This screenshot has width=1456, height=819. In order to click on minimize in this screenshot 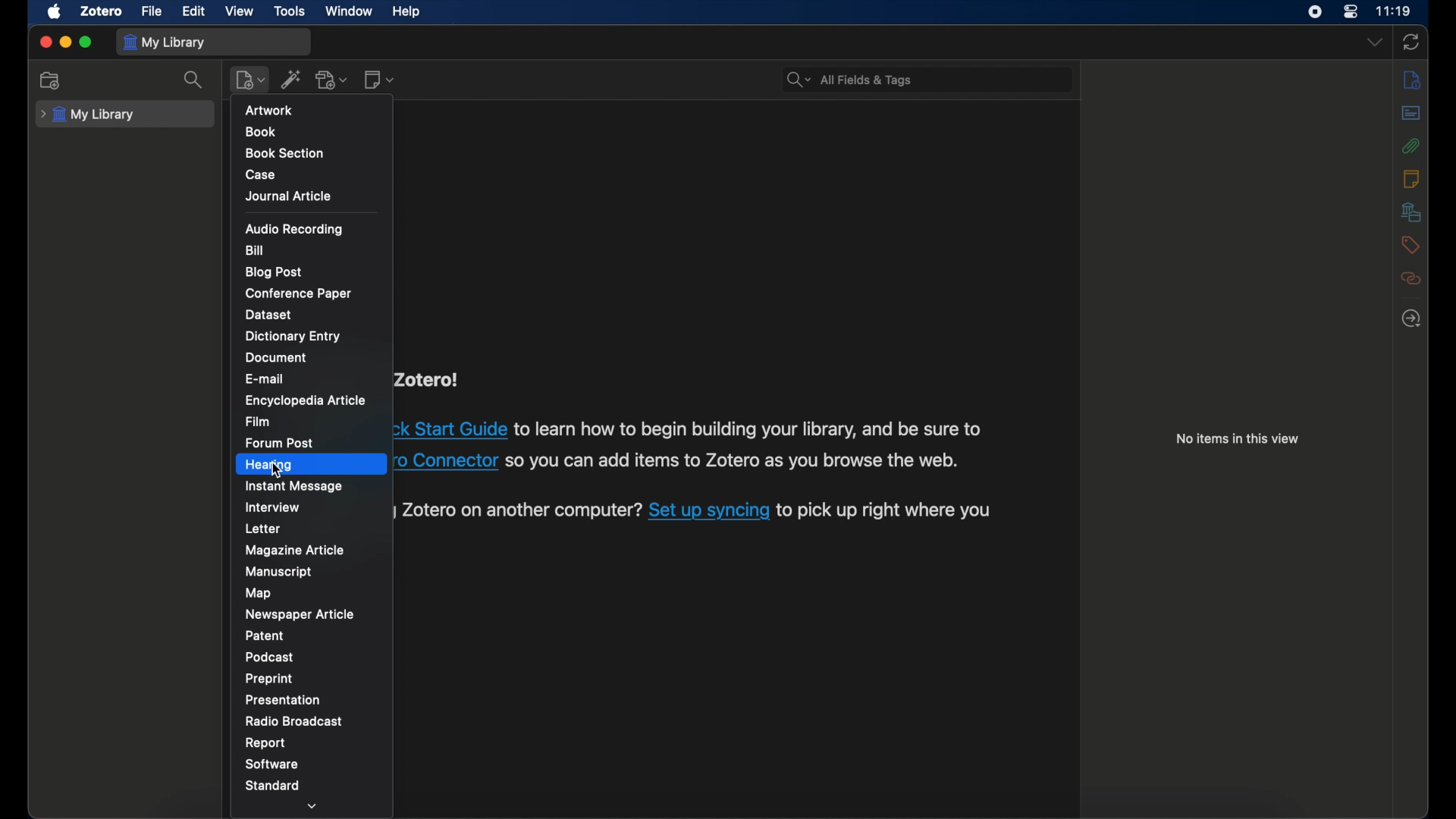, I will do `click(65, 42)`.